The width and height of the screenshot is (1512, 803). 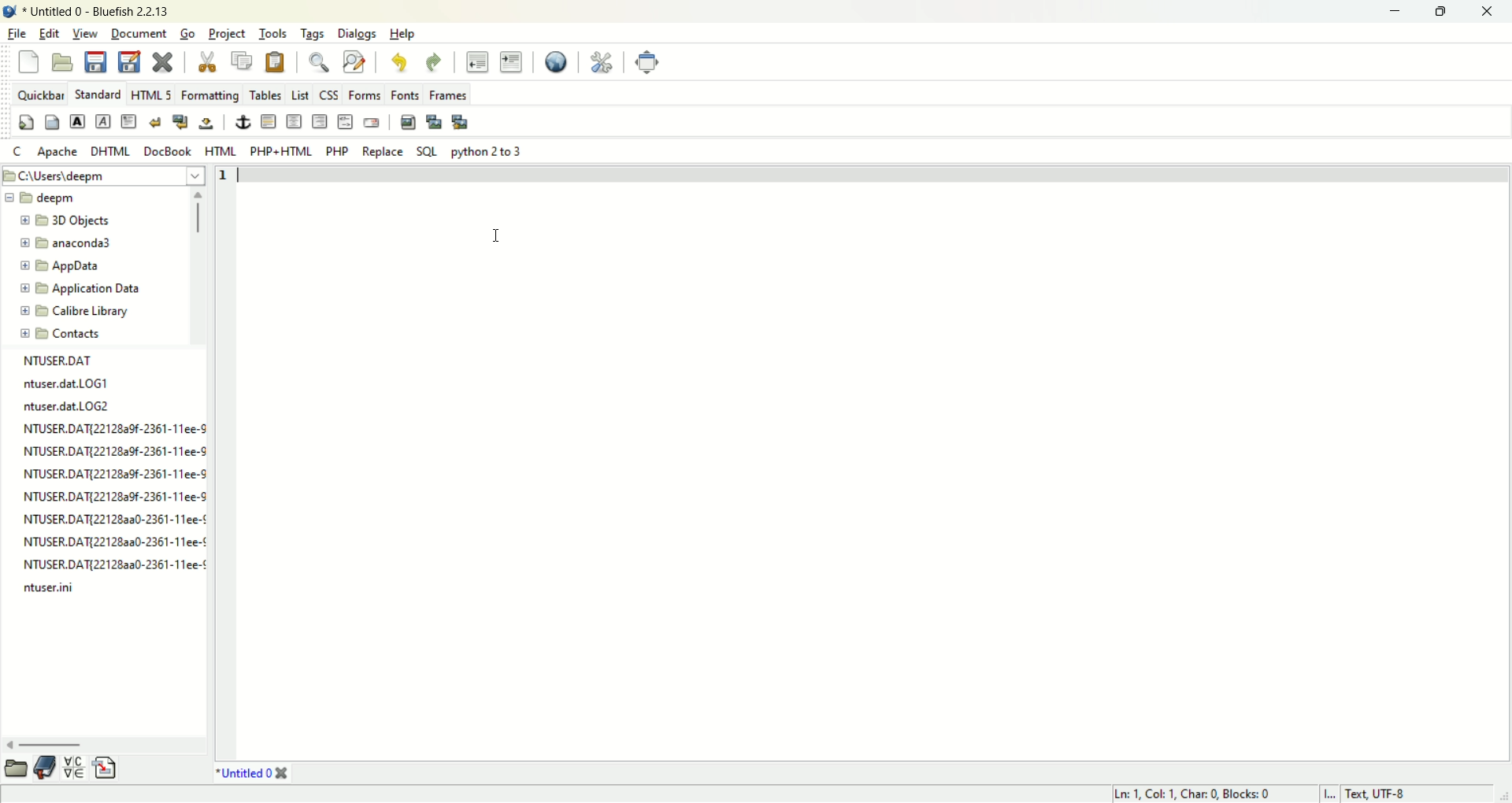 I want to click on tools, so click(x=272, y=33).